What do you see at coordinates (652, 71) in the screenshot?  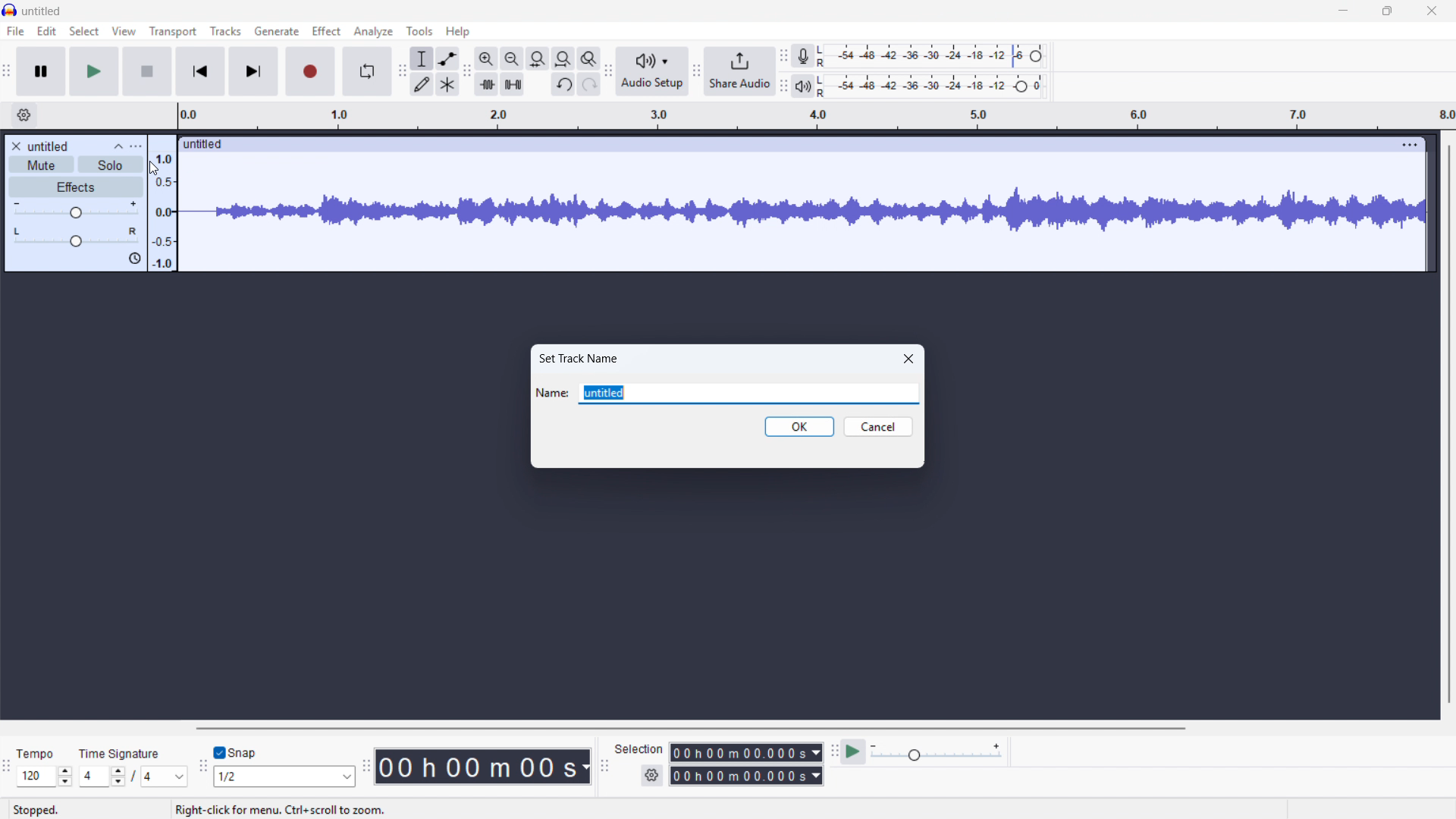 I see `Audio setup ` at bounding box center [652, 71].